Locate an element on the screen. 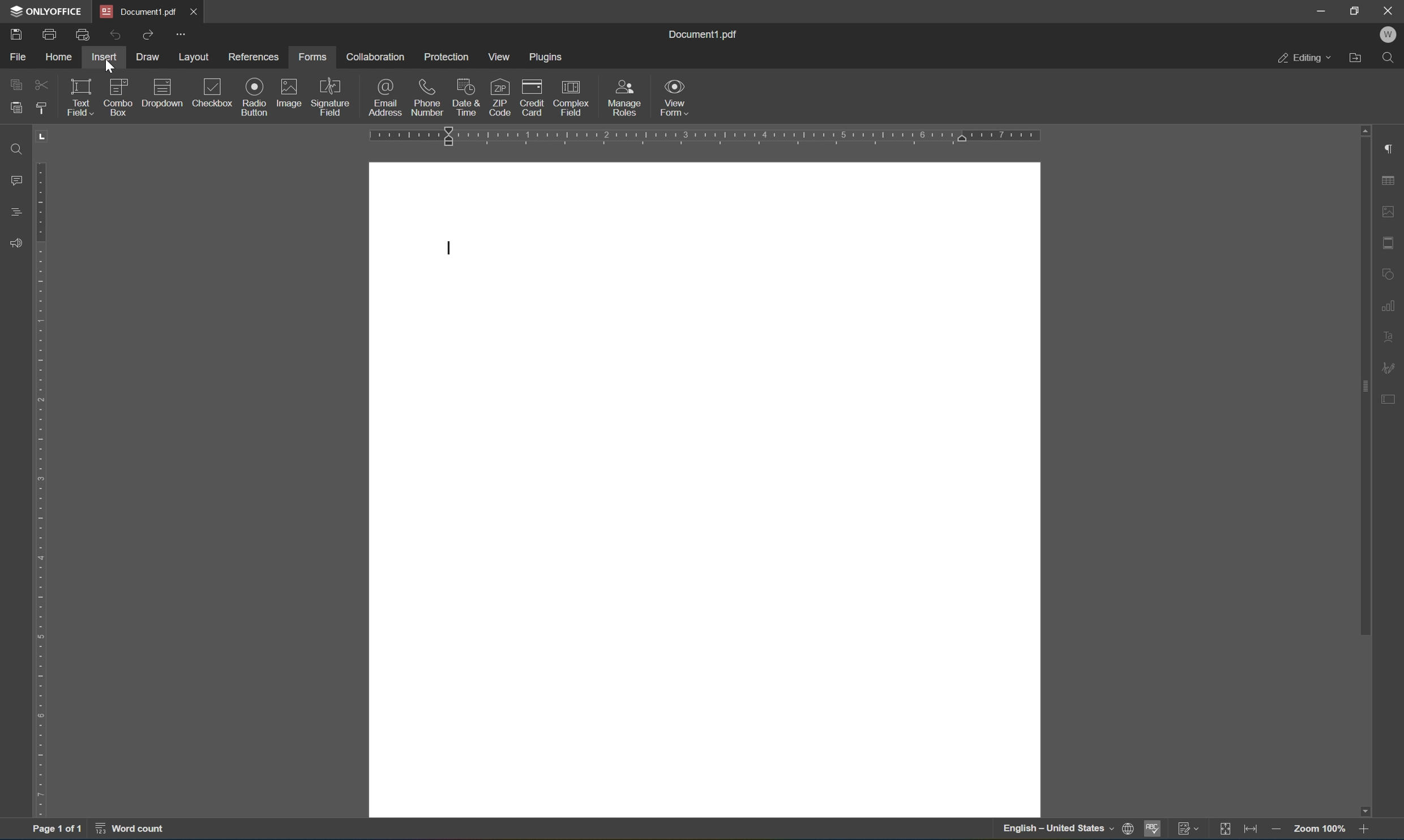 Image resolution: width=1404 pixels, height=840 pixels. file is located at coordinates (14, 57).